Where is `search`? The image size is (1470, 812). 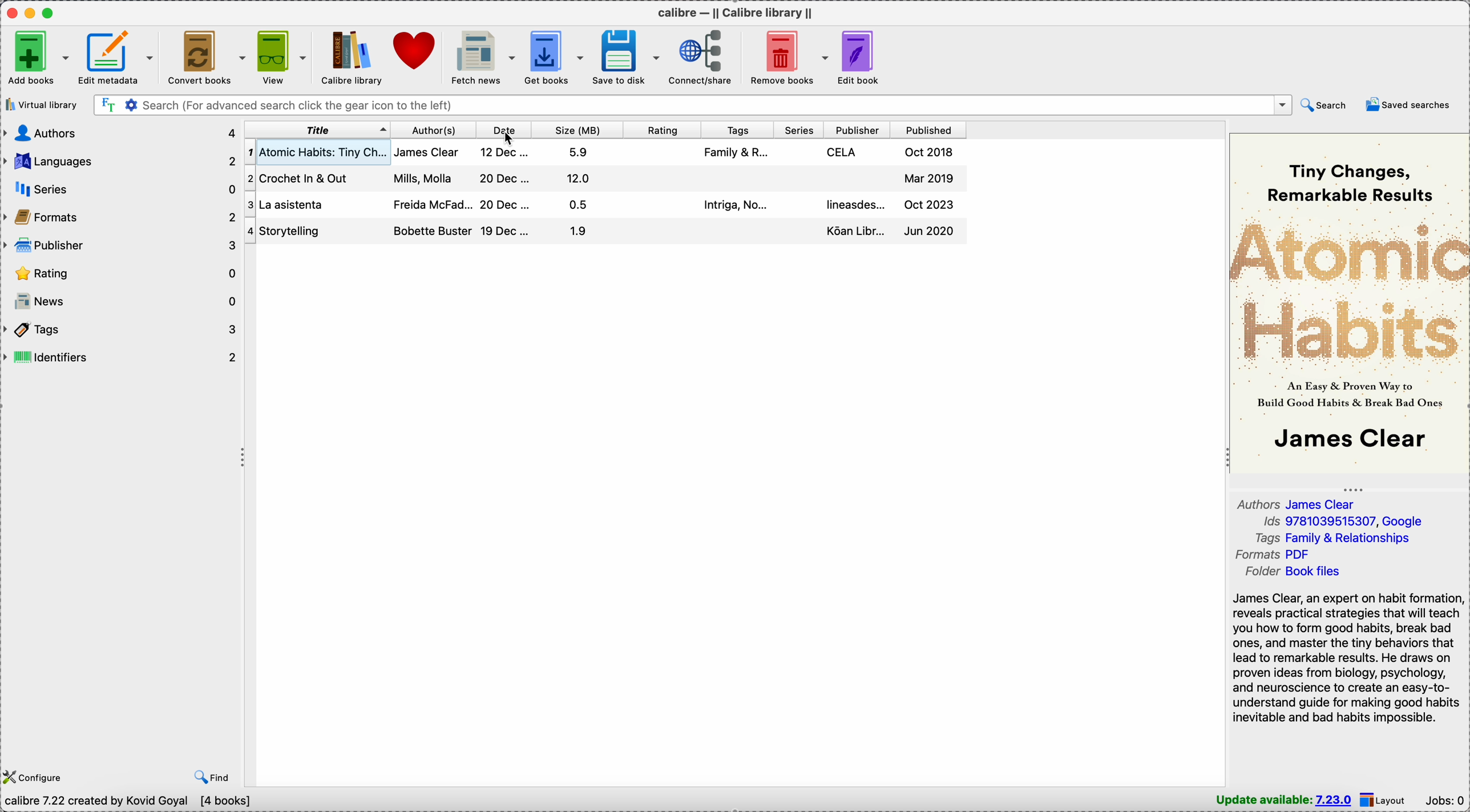 search is located at coordinates (1323, 106).